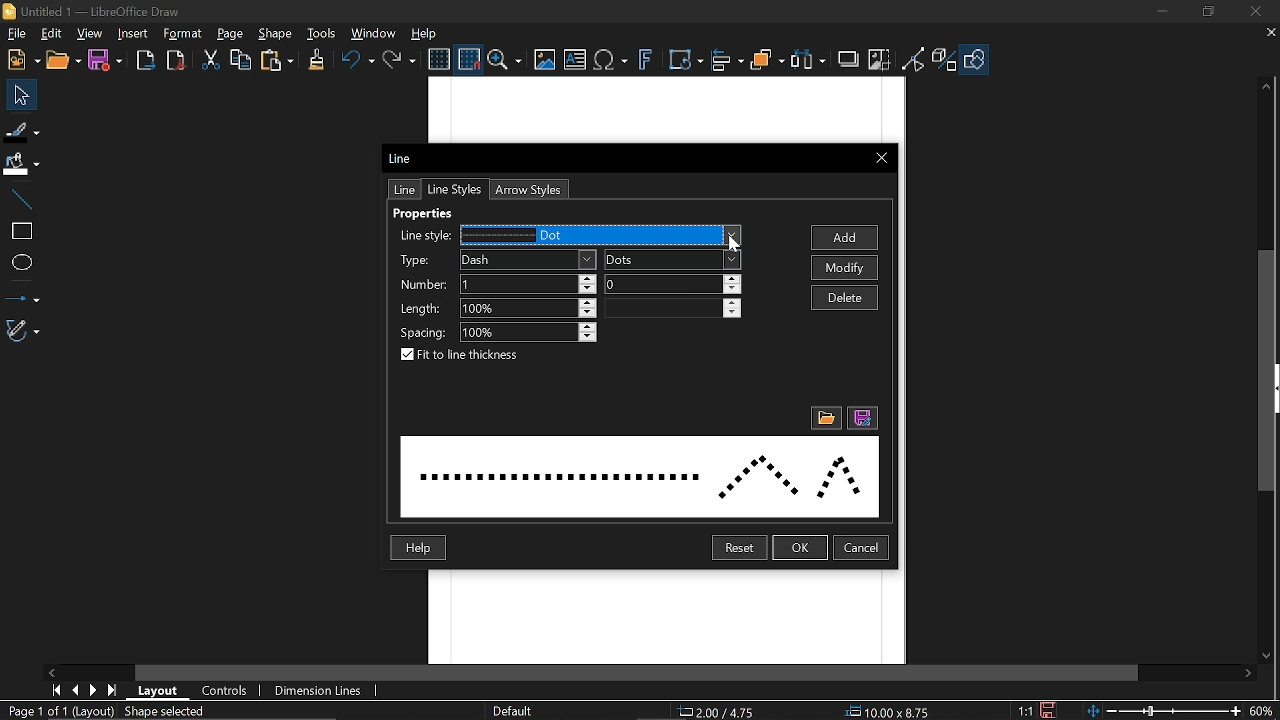  I want to click on Tools, so click(322, 33).